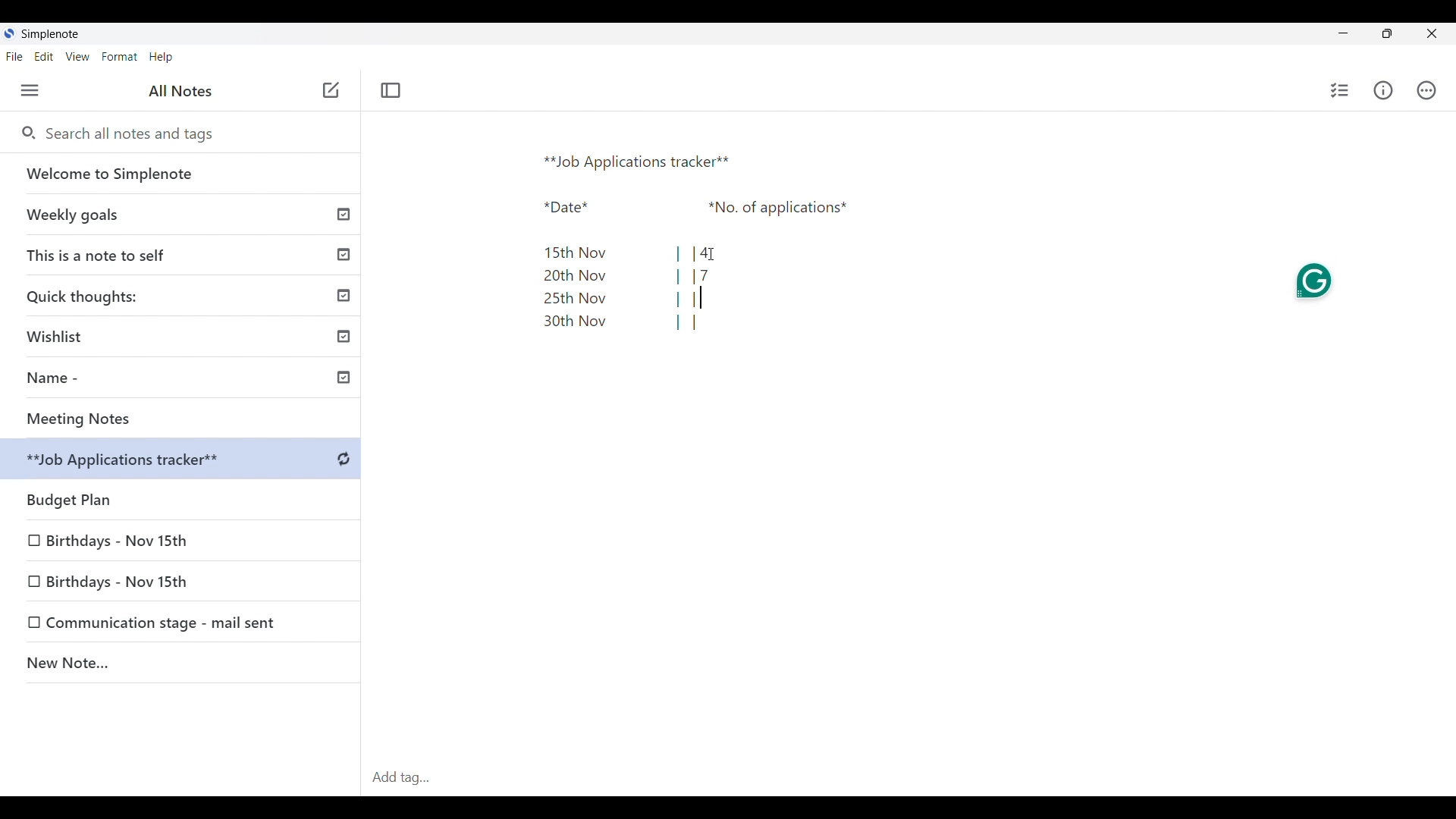 The height and width of the screenshot is (819, 1456). Describe the element at coordinates (1432, 33) in the screenshot. I see `Close interface` at that location.